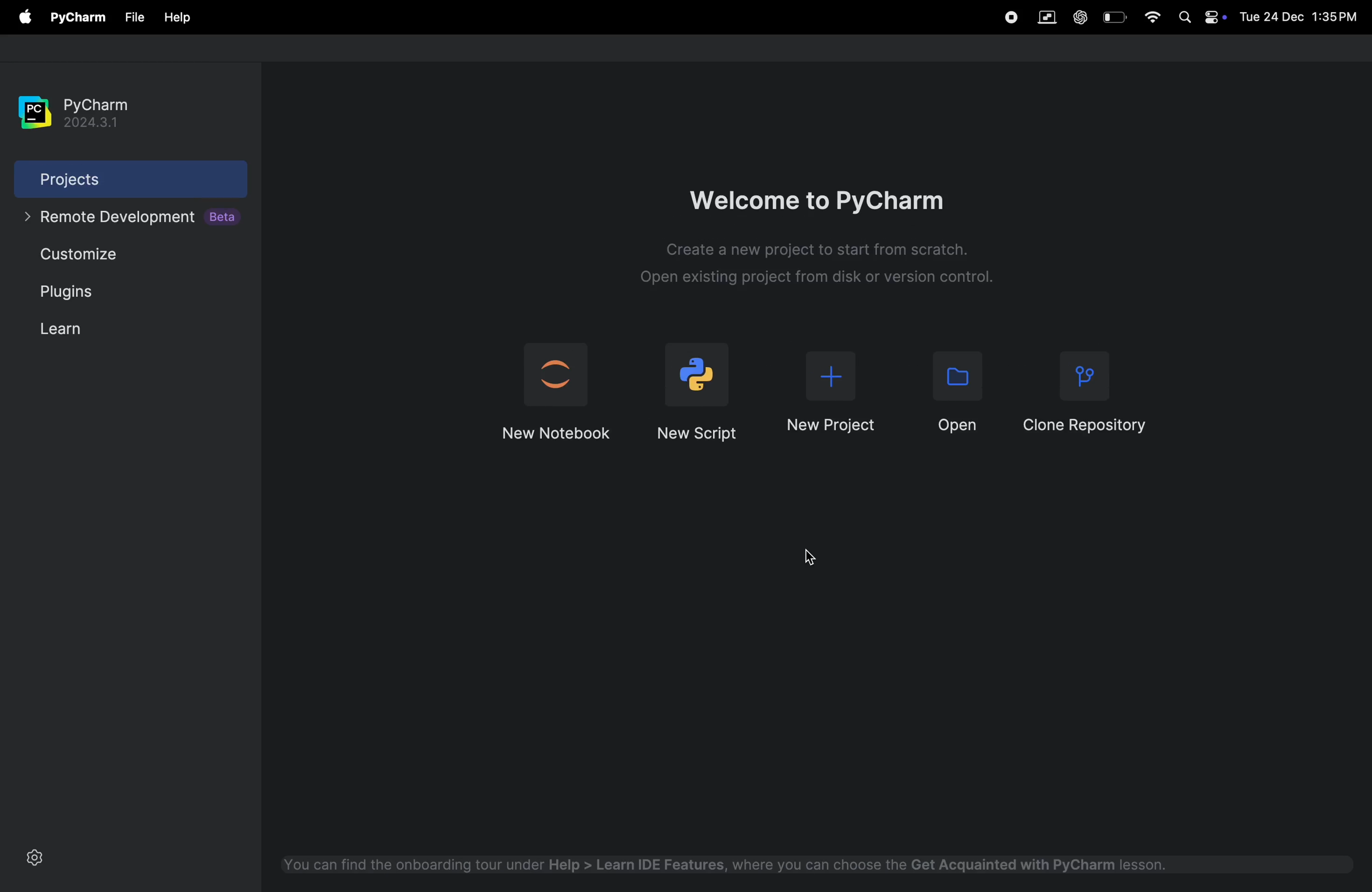  I want to click on battery, so click(1117, 17).